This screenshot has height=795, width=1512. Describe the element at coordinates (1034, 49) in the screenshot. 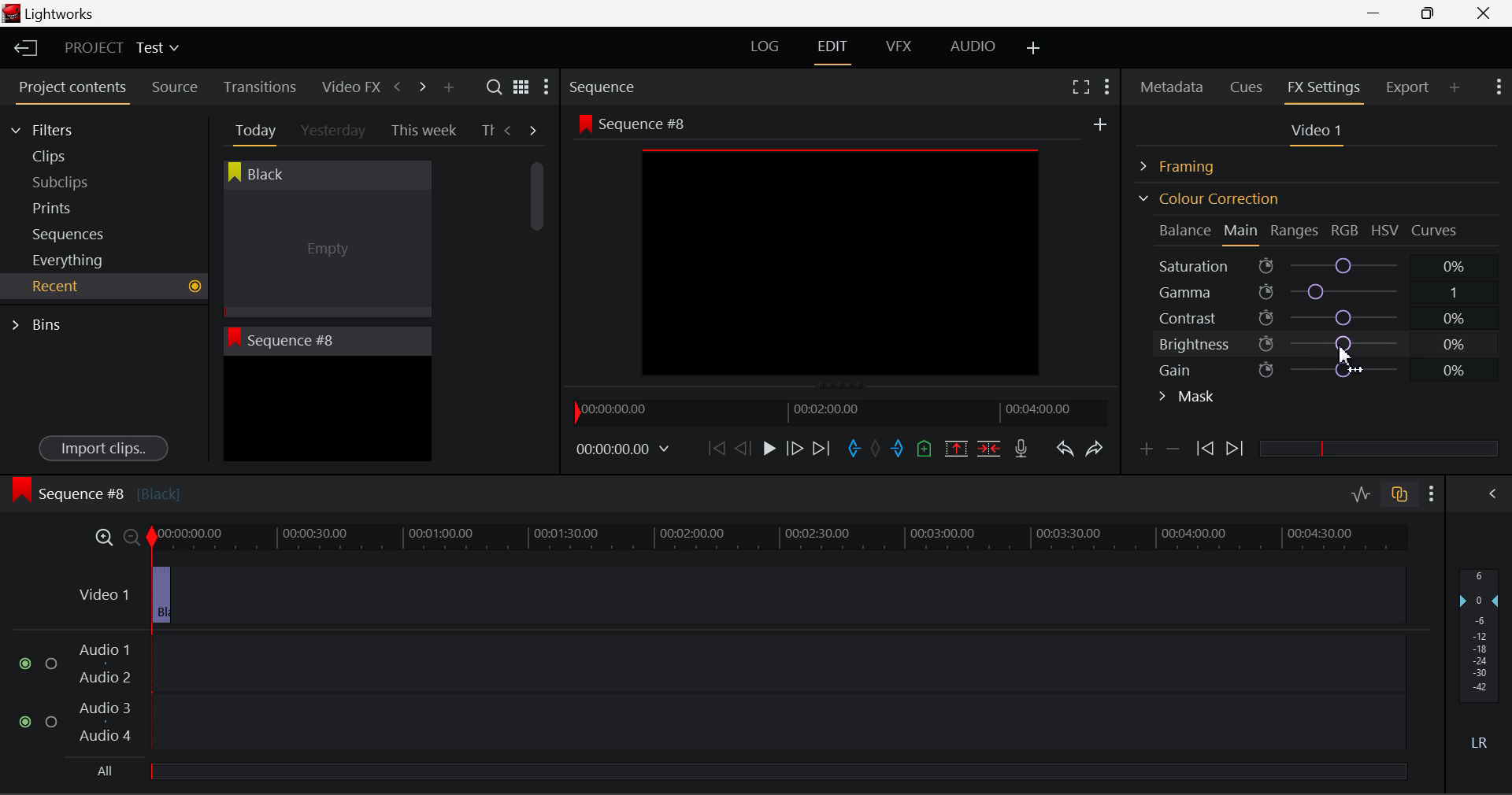

I see `Add Layout` at that location.